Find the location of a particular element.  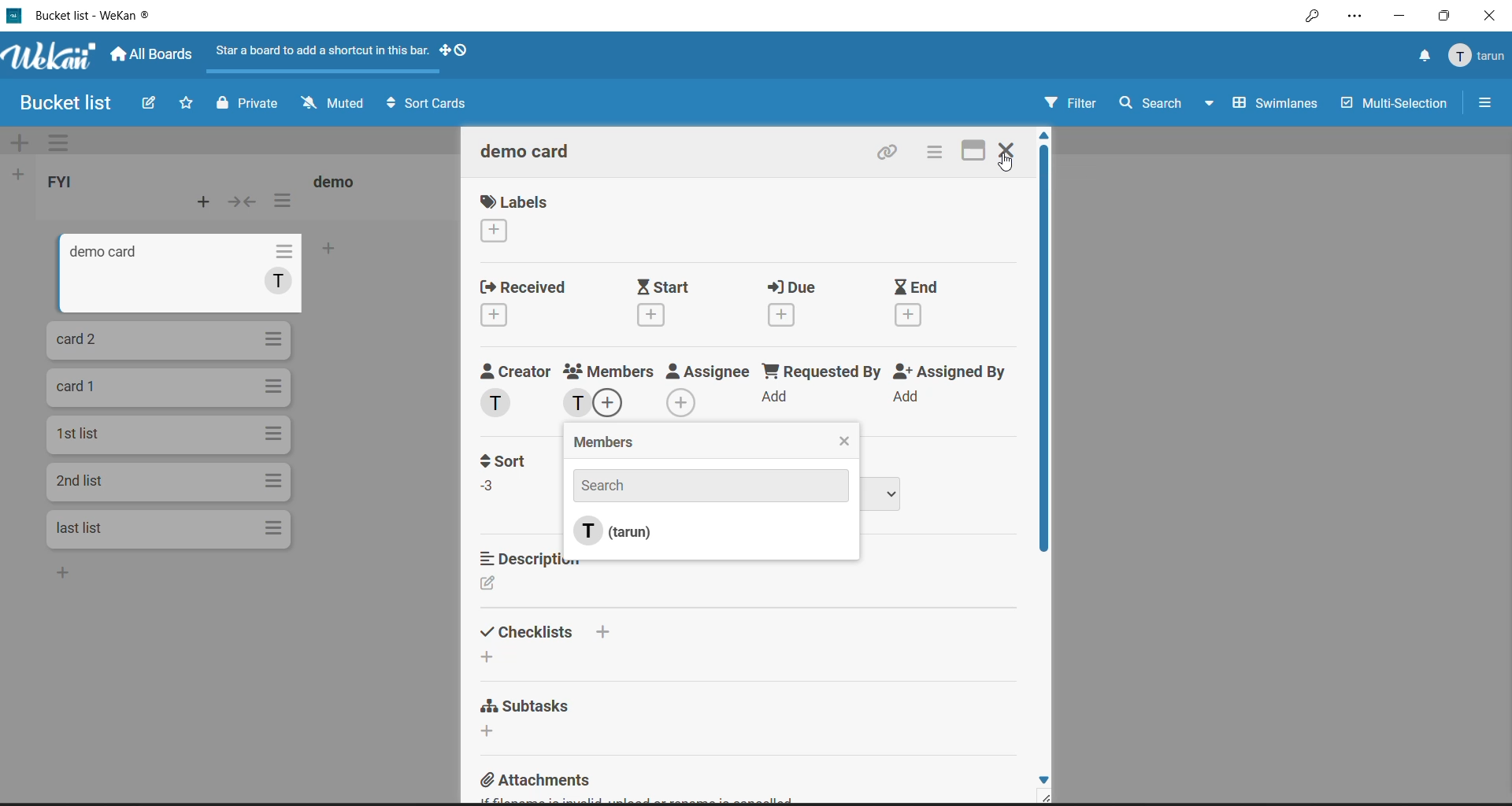

start is located at coordinates (662, 287).